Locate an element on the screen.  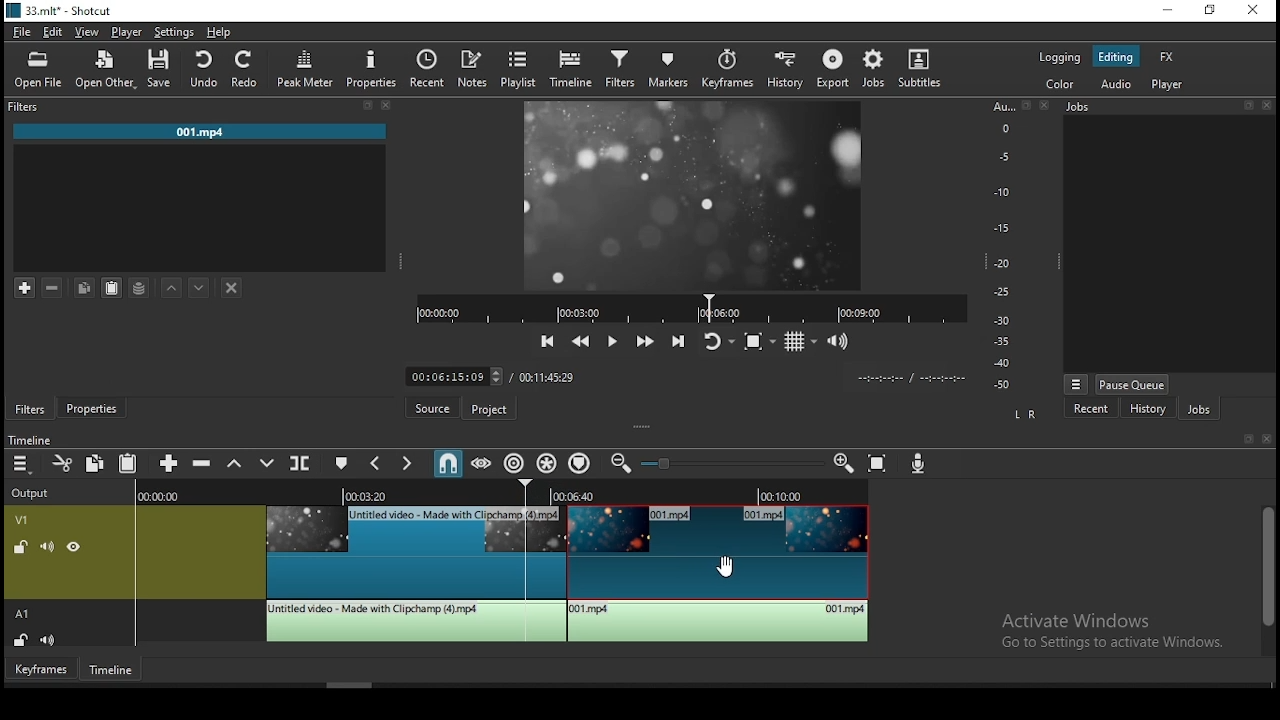
filters is located at coordinates (29, 408).